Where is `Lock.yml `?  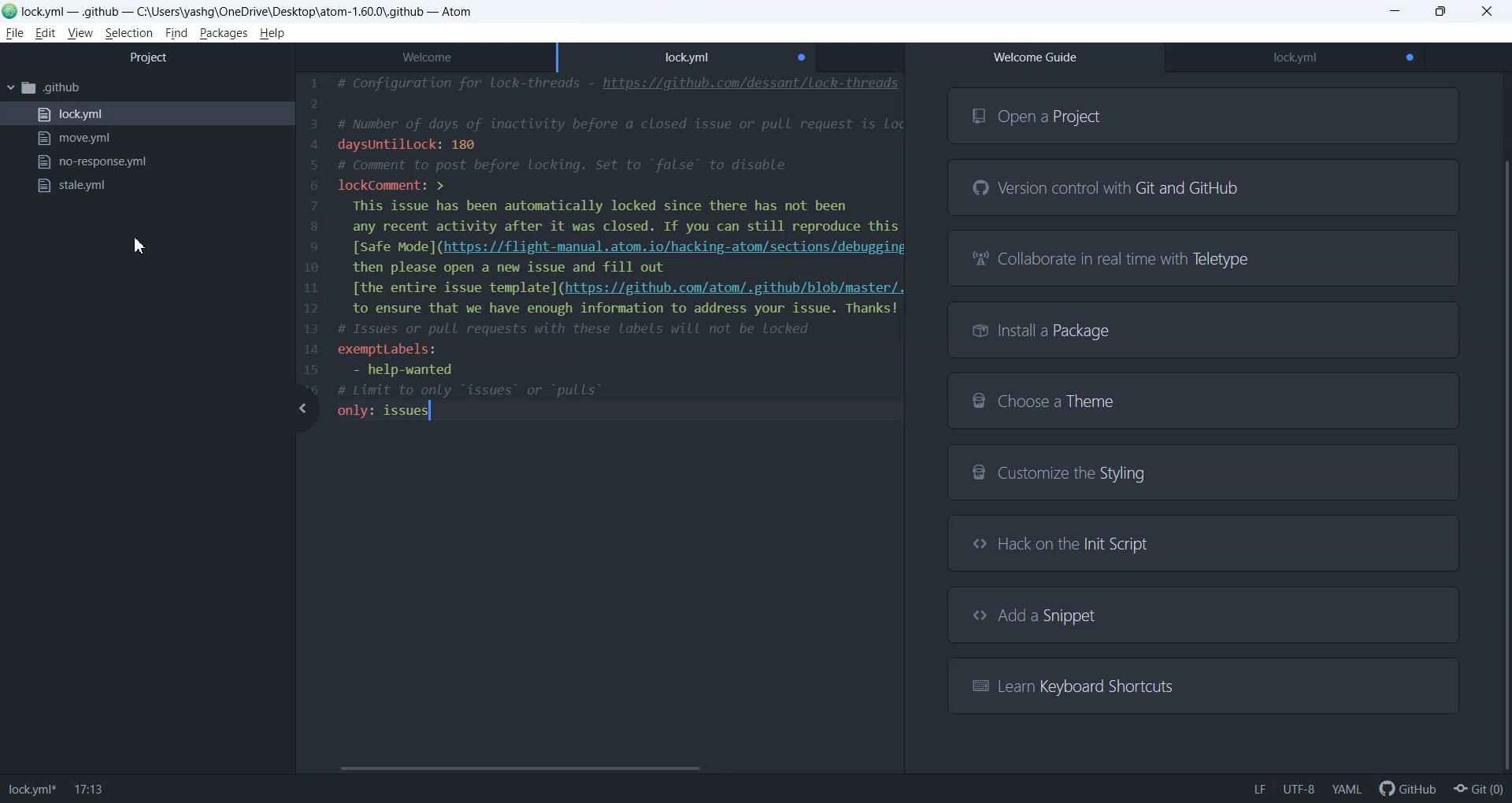 Lock.yml  is located at coordinates (687, 54).